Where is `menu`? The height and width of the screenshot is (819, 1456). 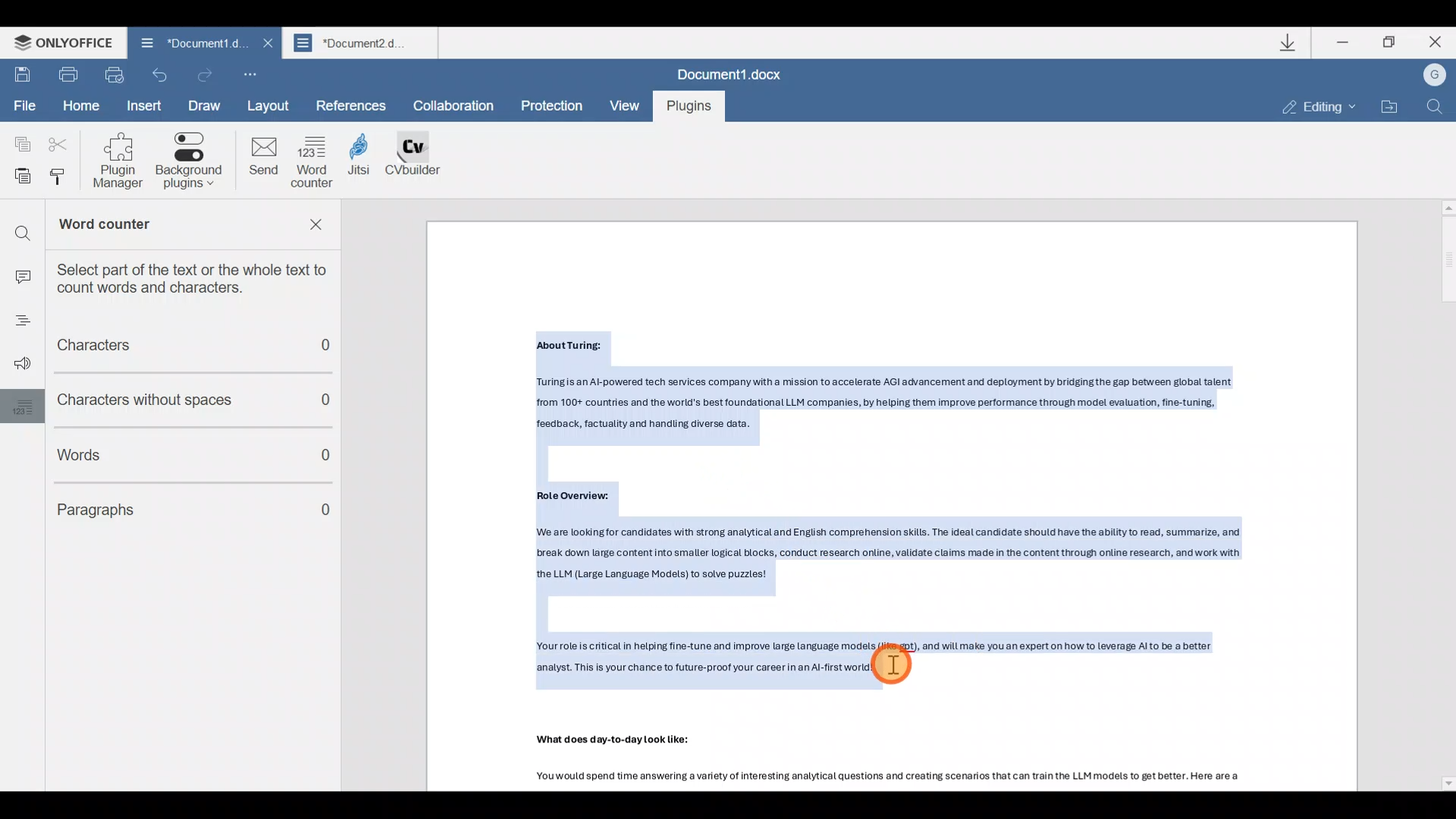
menu is located at coordinates (17, 324).